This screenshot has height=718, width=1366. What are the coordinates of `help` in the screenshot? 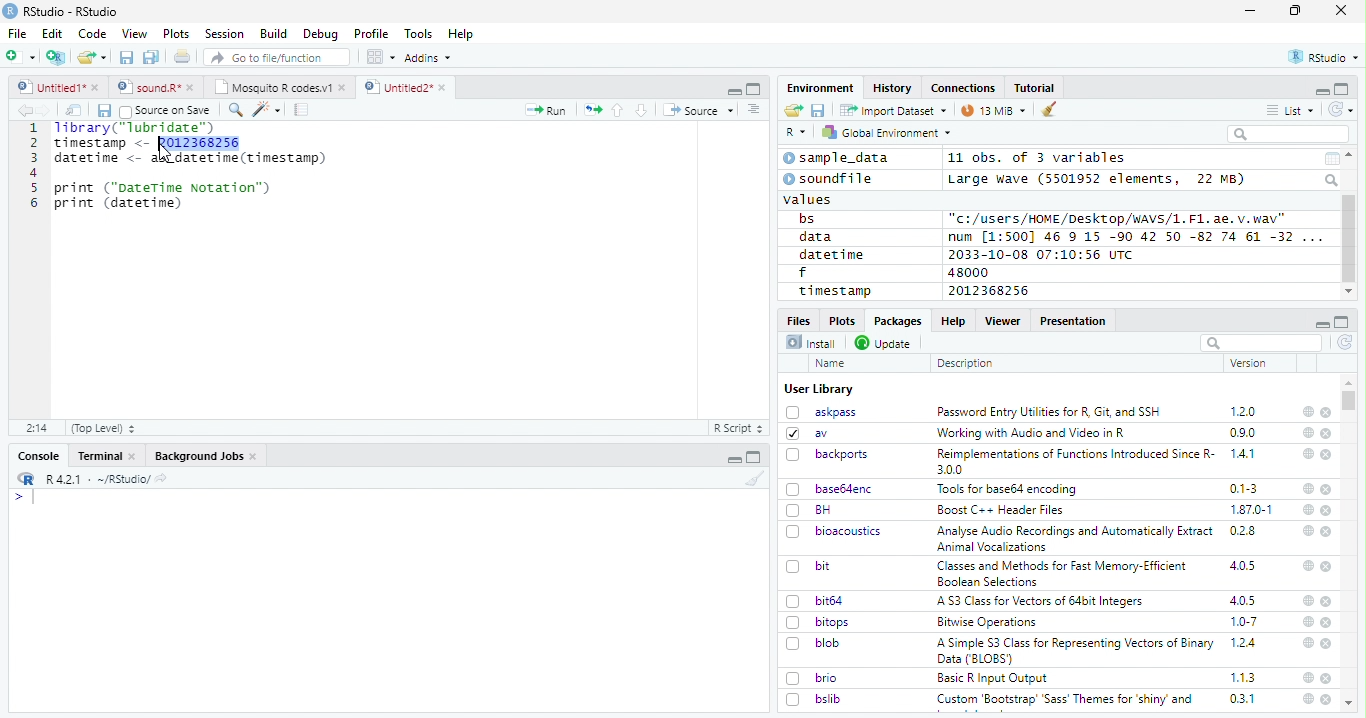 It's located at (1308, 432).